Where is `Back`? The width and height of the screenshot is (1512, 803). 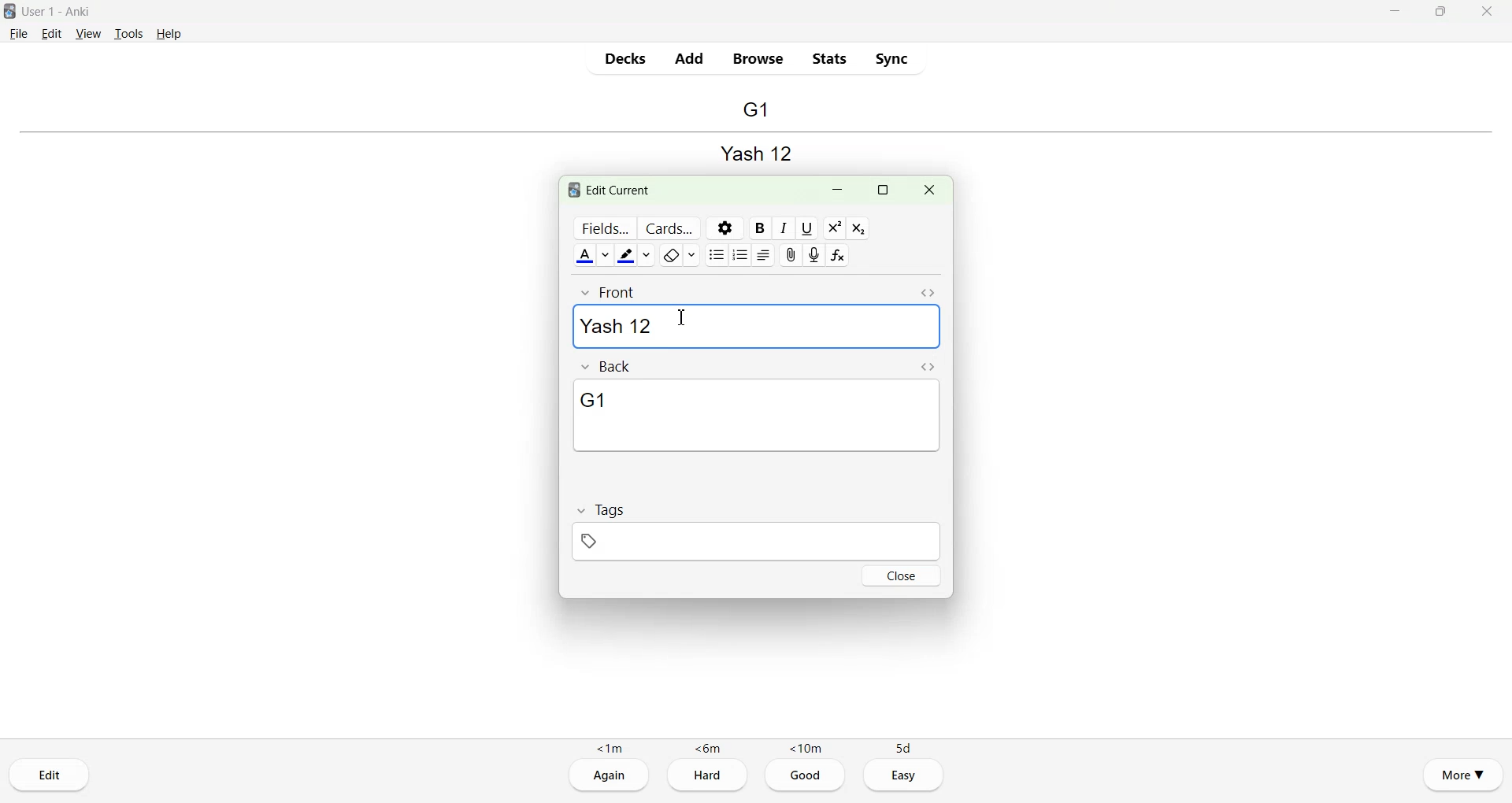 Back is located at coordinates (609, 367).